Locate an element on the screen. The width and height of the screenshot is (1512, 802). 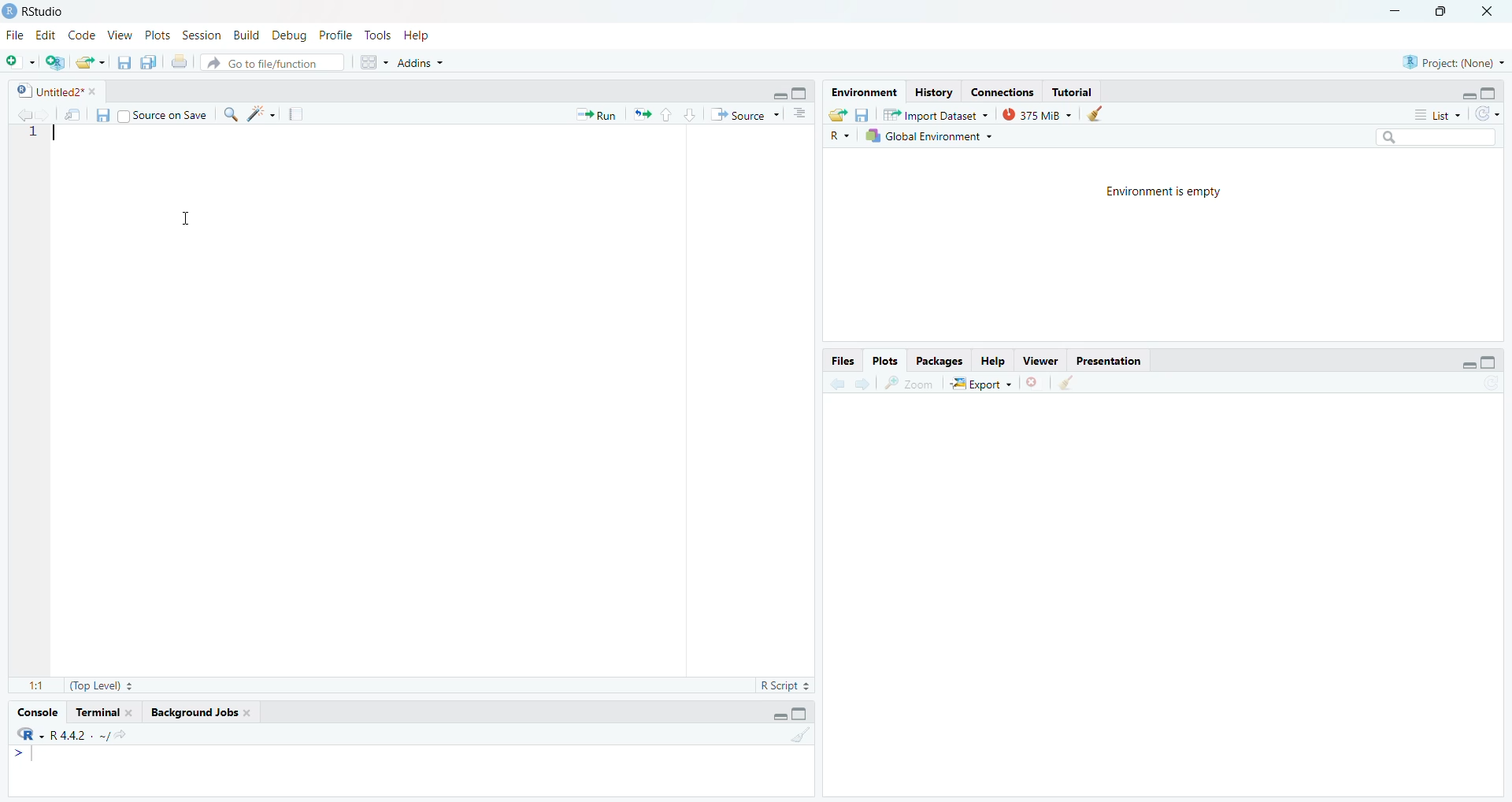
Session is located at coordinates (202, 38).